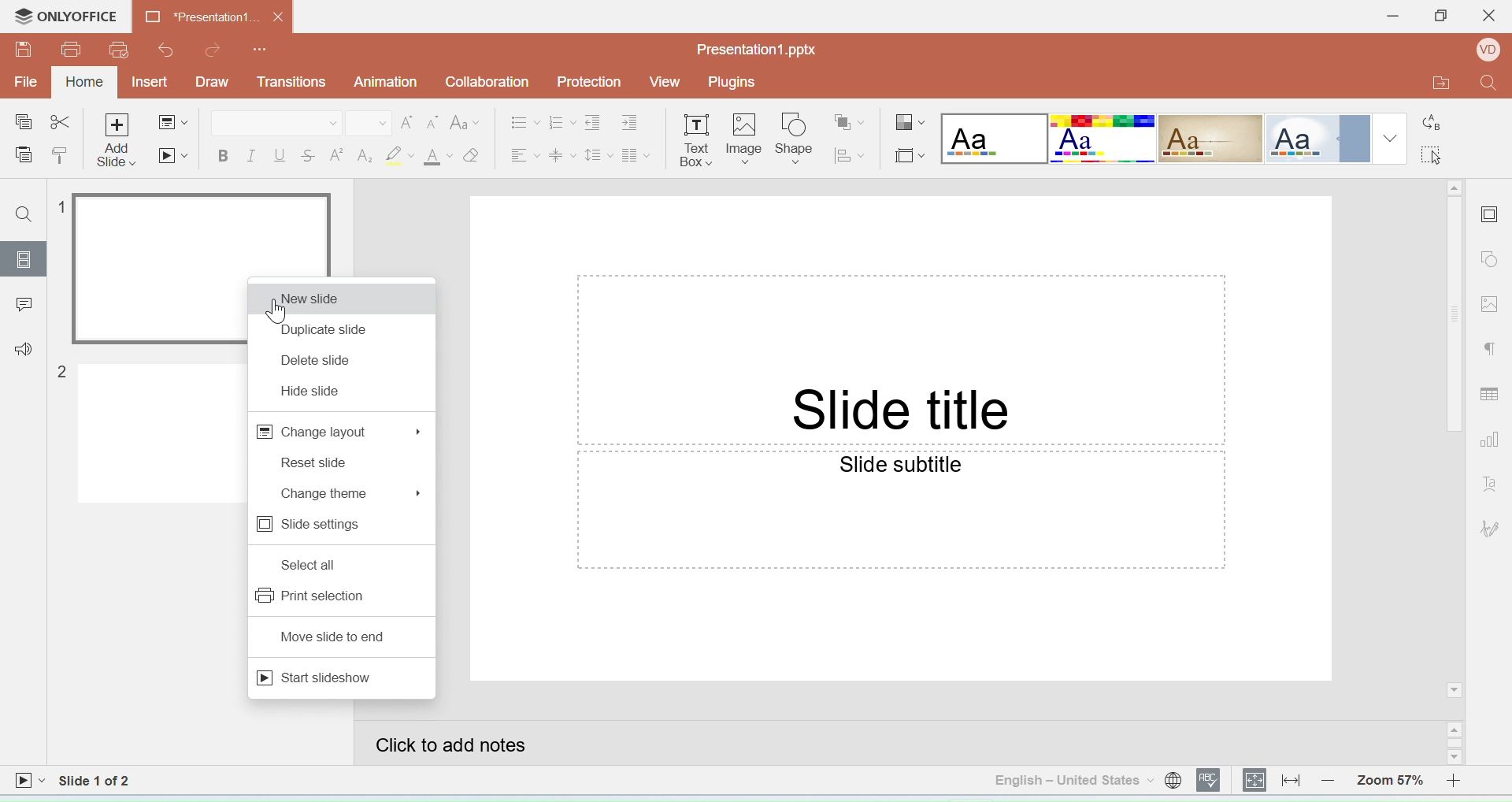 The width and height of the screenshot is (1512, 802). What do you see at coordinates (795, 139) in the screenshot?
I see `Insert shape` at bounding box center [795, 139].